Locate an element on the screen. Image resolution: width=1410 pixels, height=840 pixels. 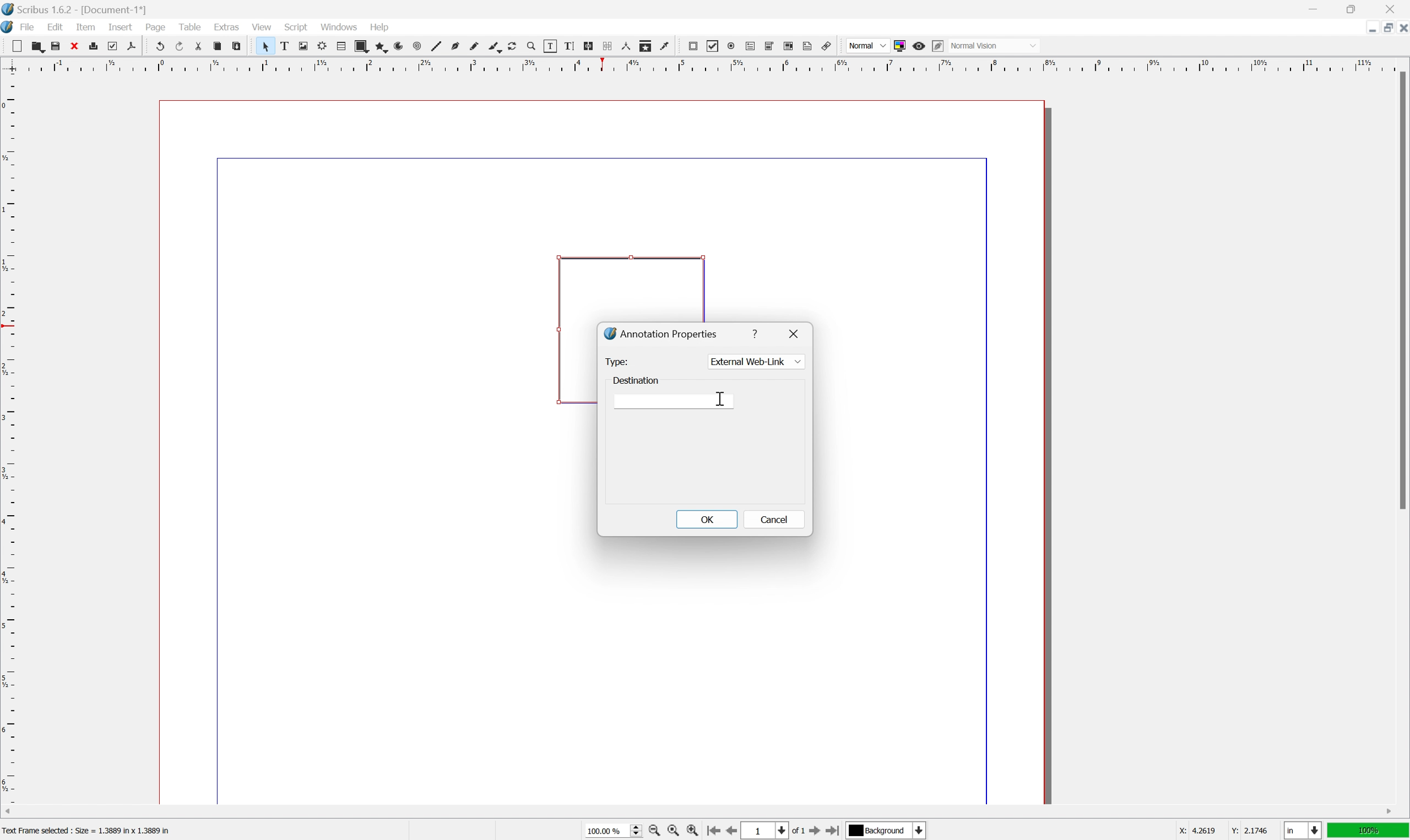
restore down is located at coordinates (1353, 8).